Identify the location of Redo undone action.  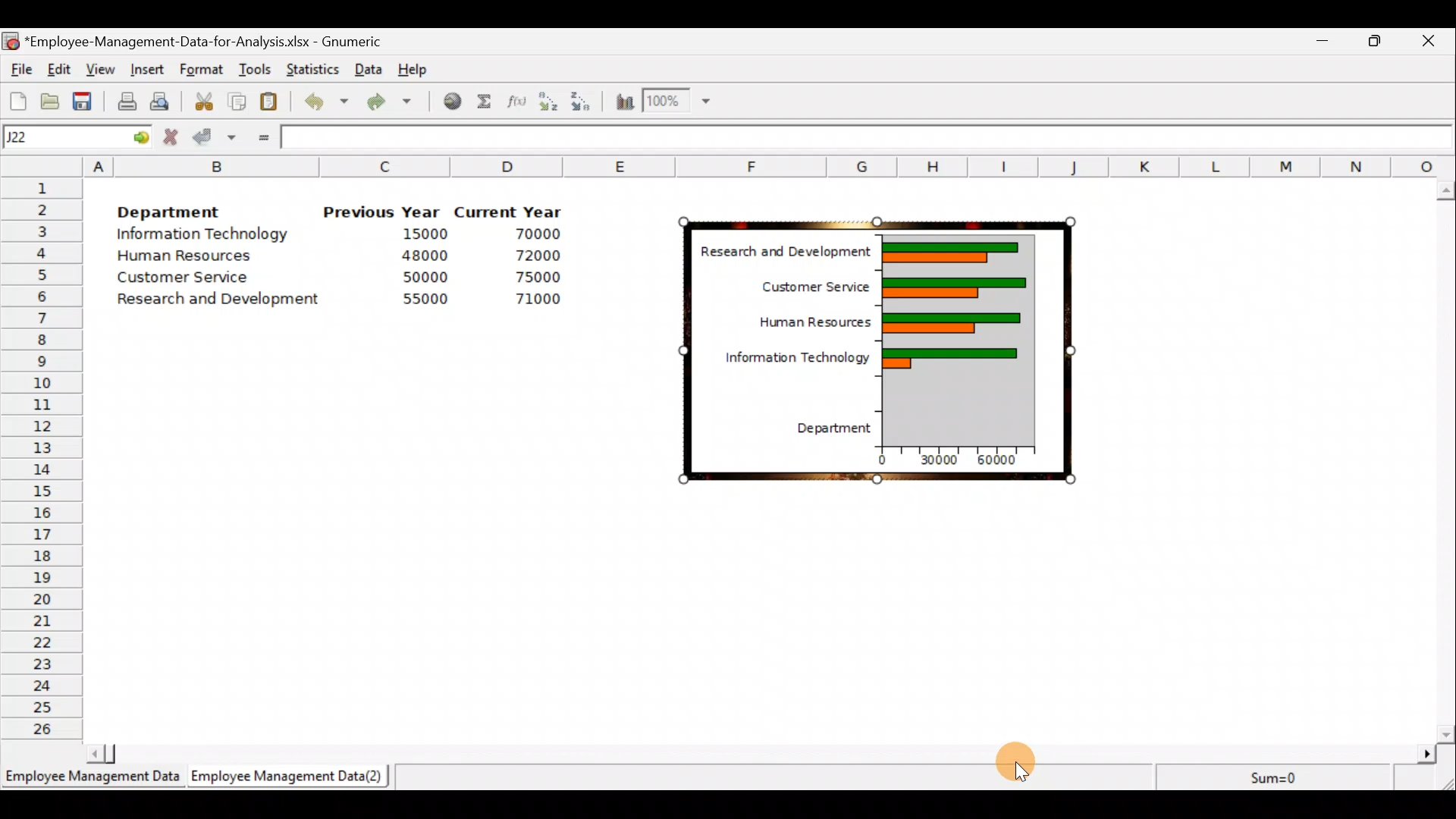
(397, 103).